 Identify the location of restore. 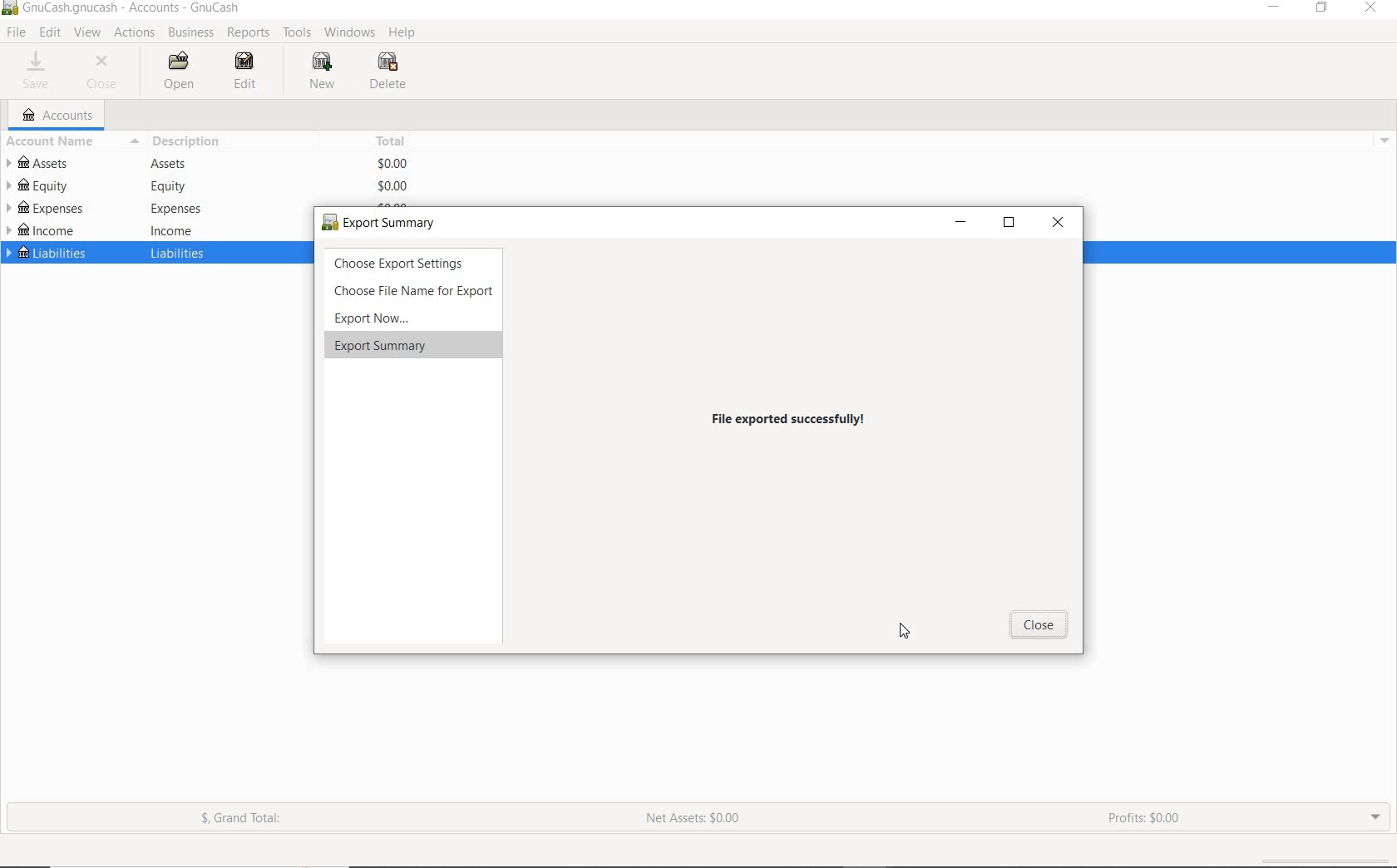
(1011, 221).